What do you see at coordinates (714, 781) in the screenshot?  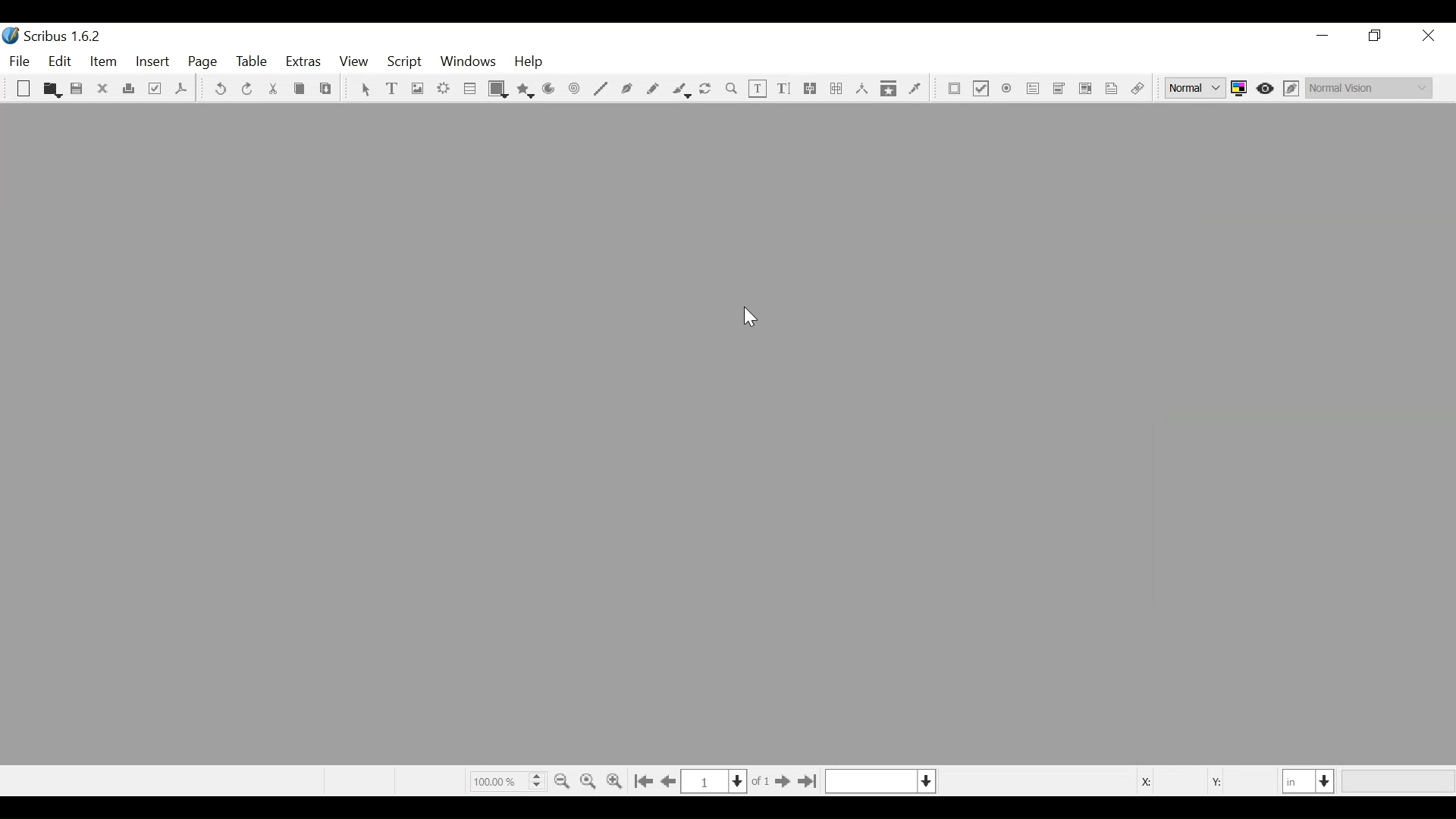 I see `Current Page` at bounding box center [714, 781].